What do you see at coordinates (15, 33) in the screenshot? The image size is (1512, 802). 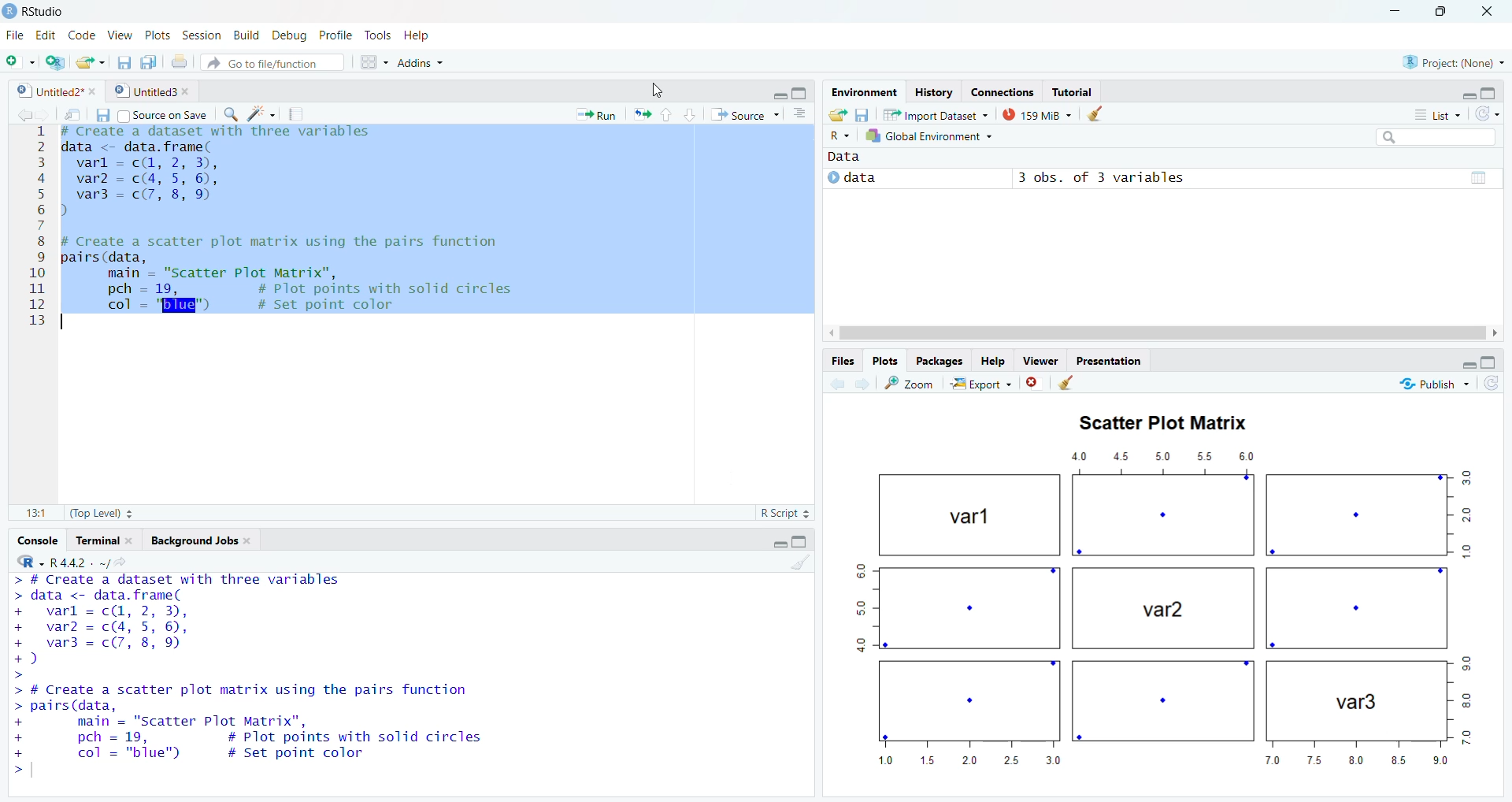 I see `File` at bounding box center [15, 33].